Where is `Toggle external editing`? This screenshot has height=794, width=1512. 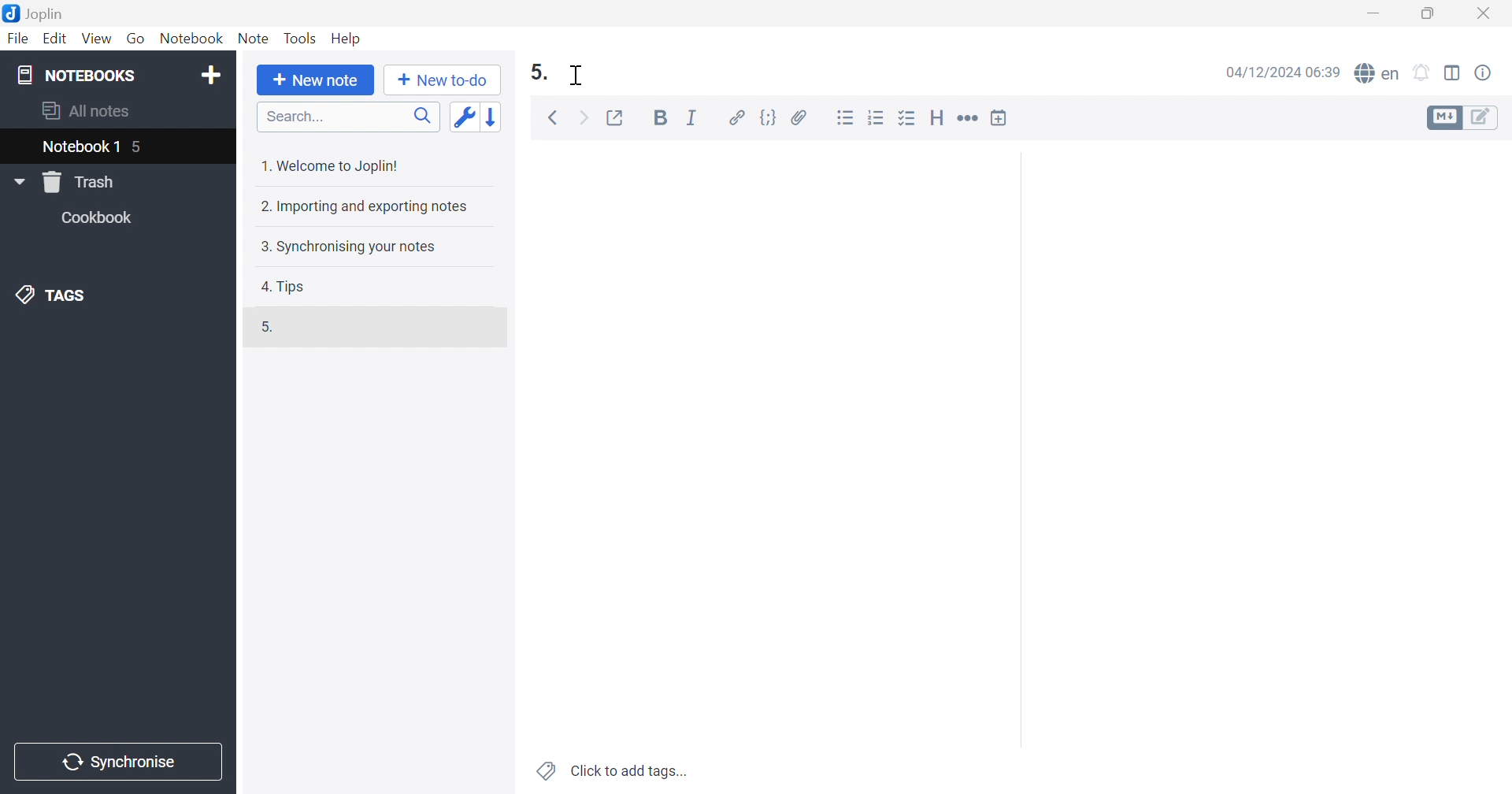
Toggle external editing is located at coordinates (621, 119).